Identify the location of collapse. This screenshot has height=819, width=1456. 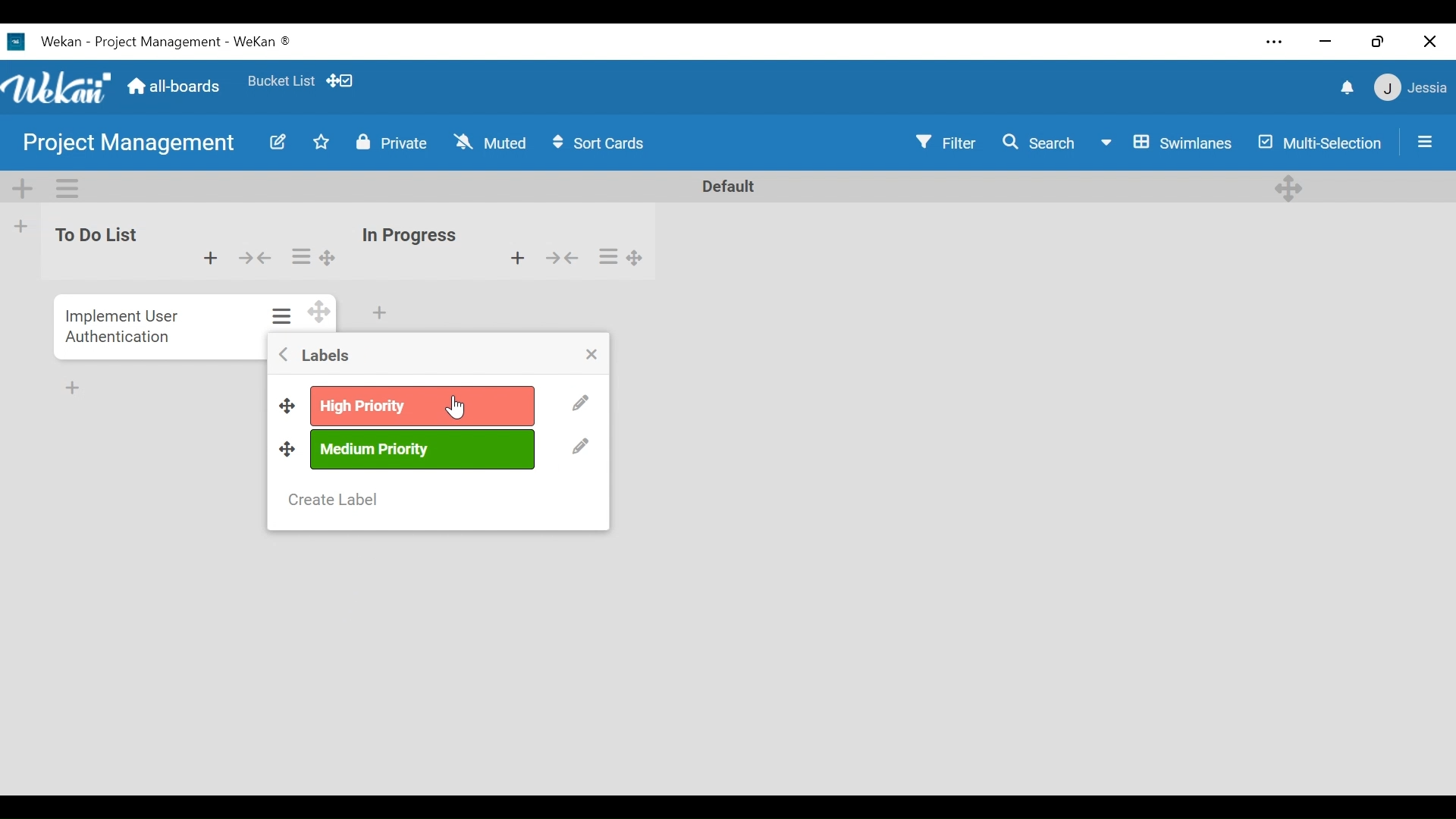
(256, 258).